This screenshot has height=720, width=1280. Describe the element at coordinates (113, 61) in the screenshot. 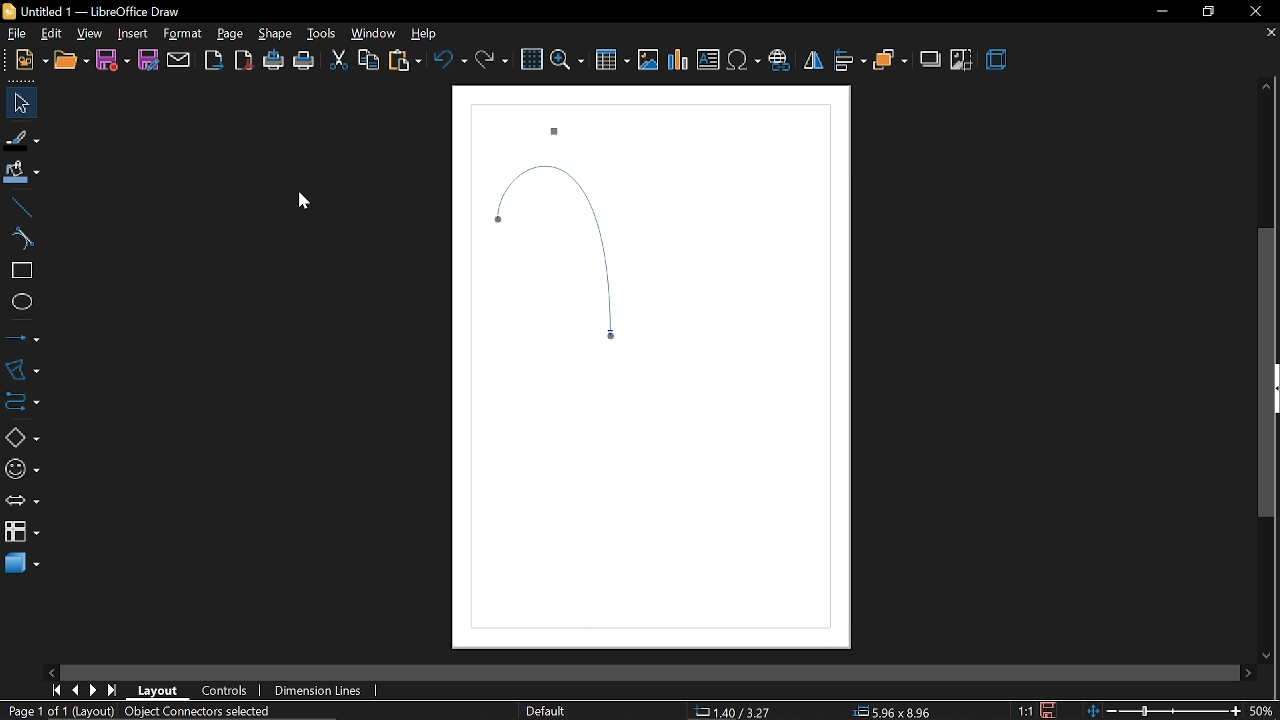

I see `save` at that location.